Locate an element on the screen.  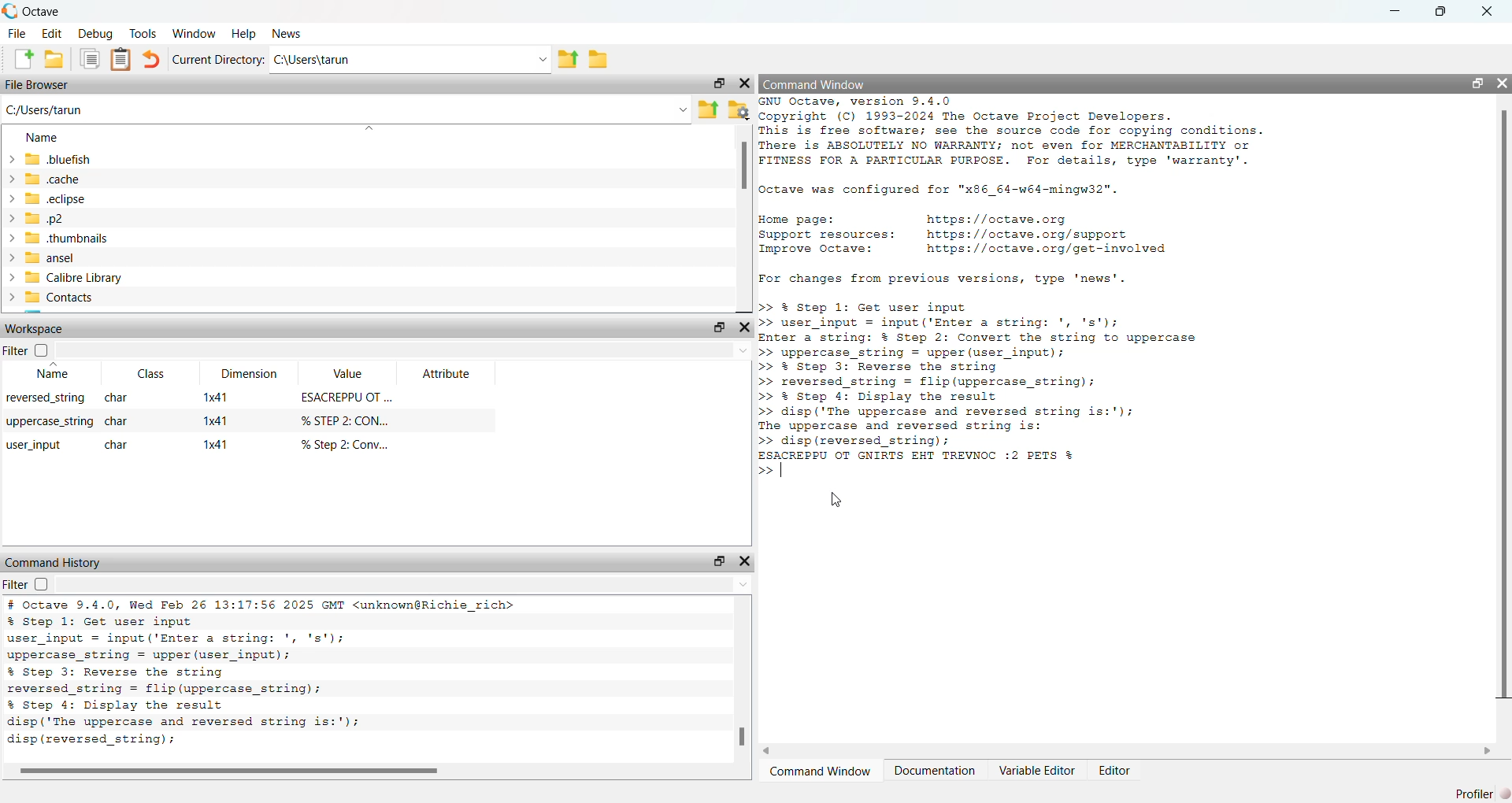
unlock widget is located at coordinates (716, 82).